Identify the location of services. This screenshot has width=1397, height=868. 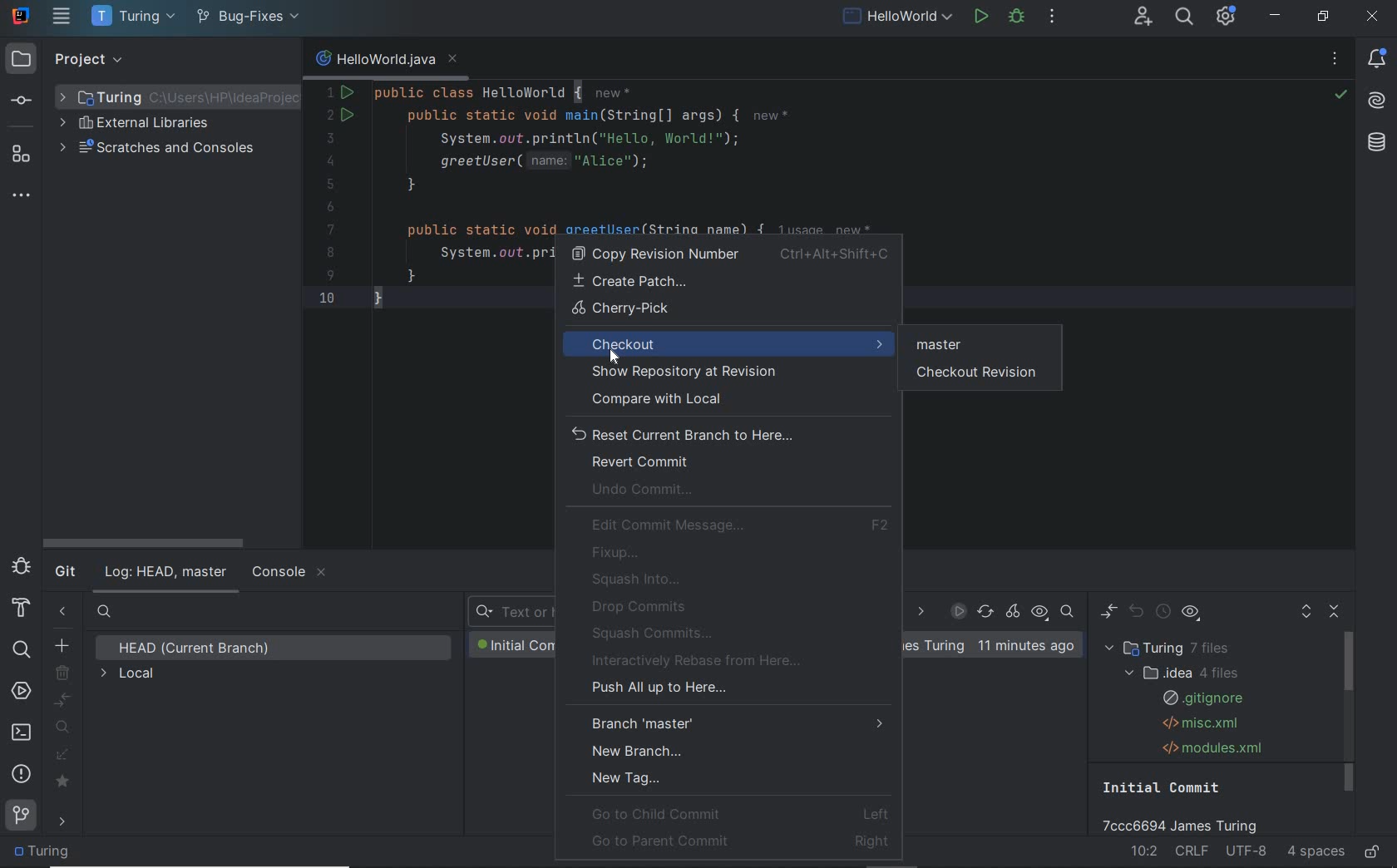
(22, 693).